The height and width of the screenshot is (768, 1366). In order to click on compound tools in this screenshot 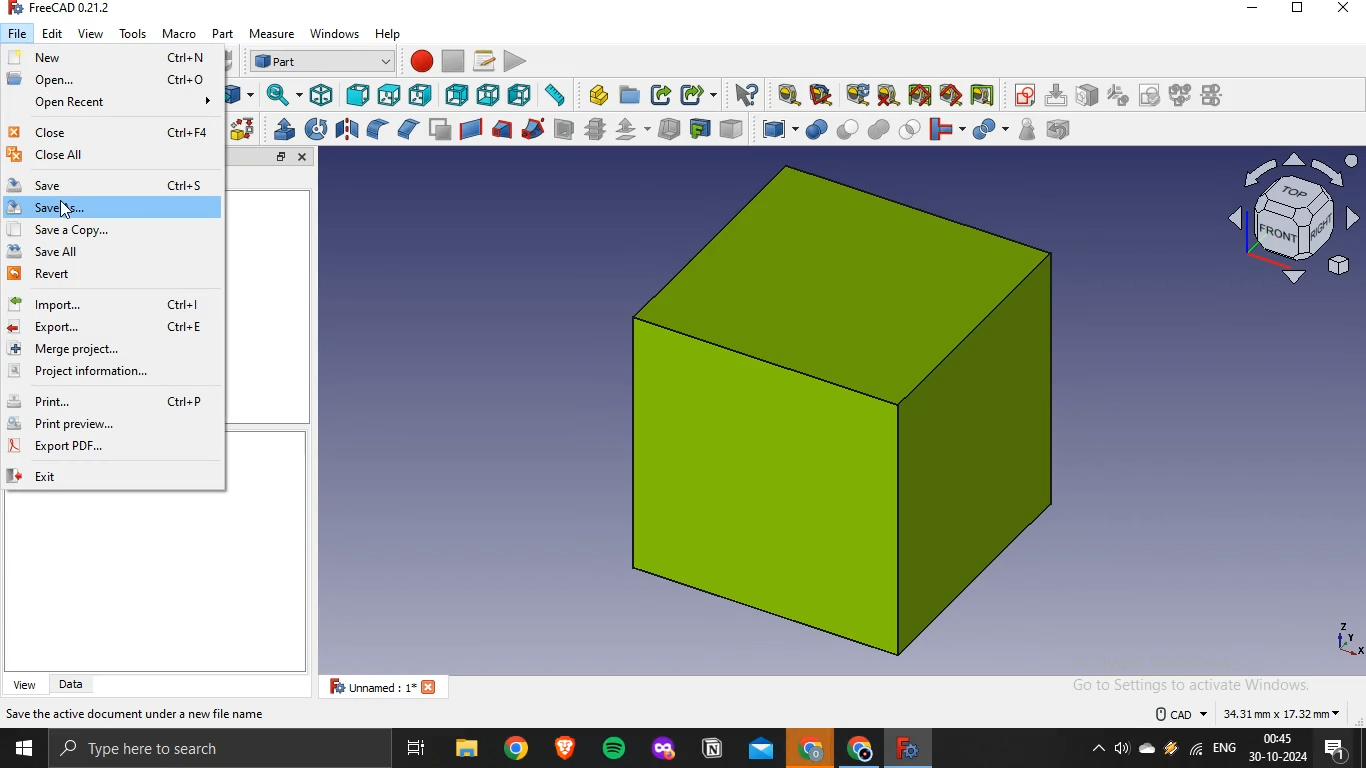, I will do `click(777, 128)`.